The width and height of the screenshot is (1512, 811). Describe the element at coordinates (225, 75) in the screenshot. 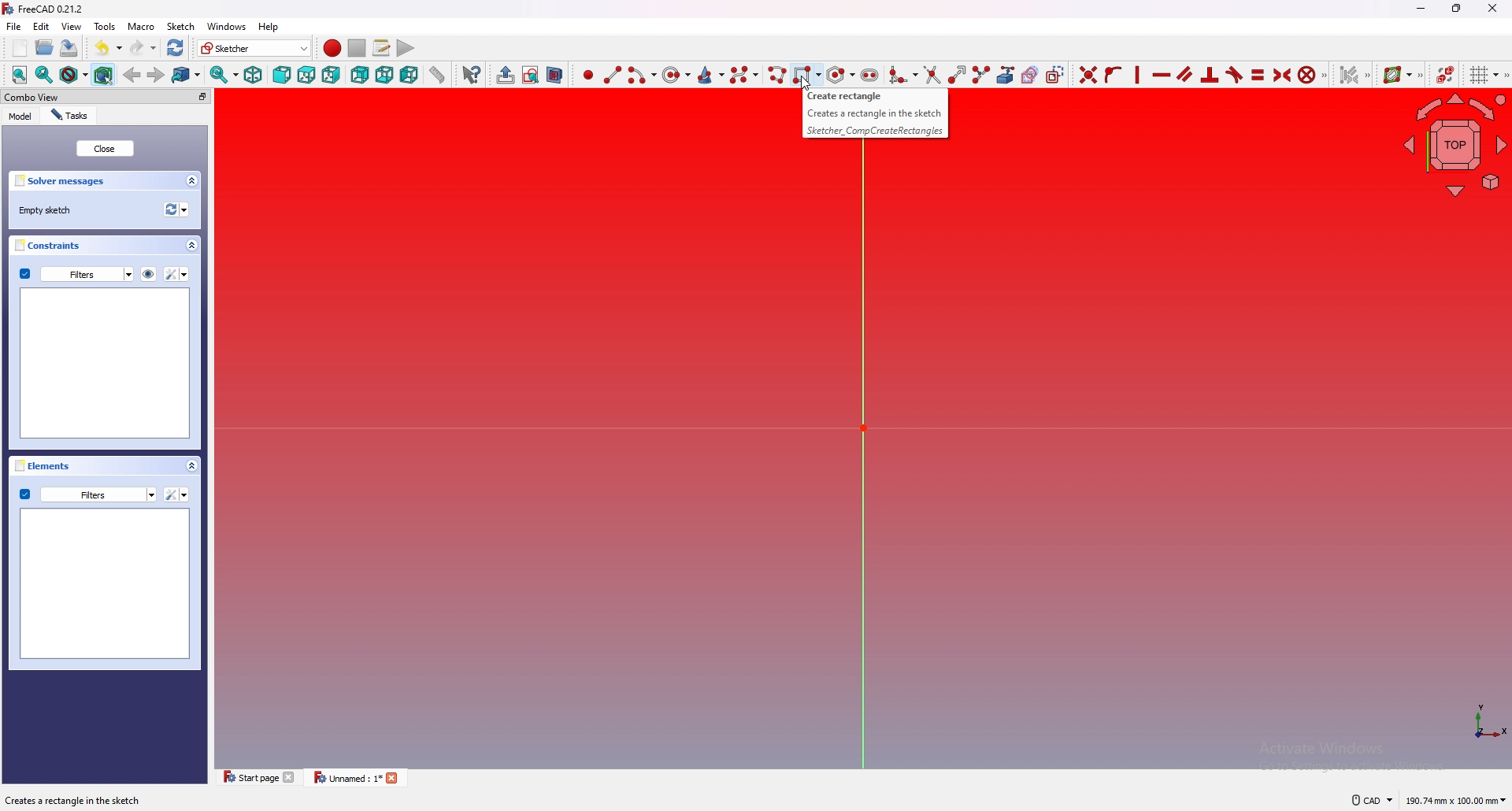

I see `synced view` at that location.